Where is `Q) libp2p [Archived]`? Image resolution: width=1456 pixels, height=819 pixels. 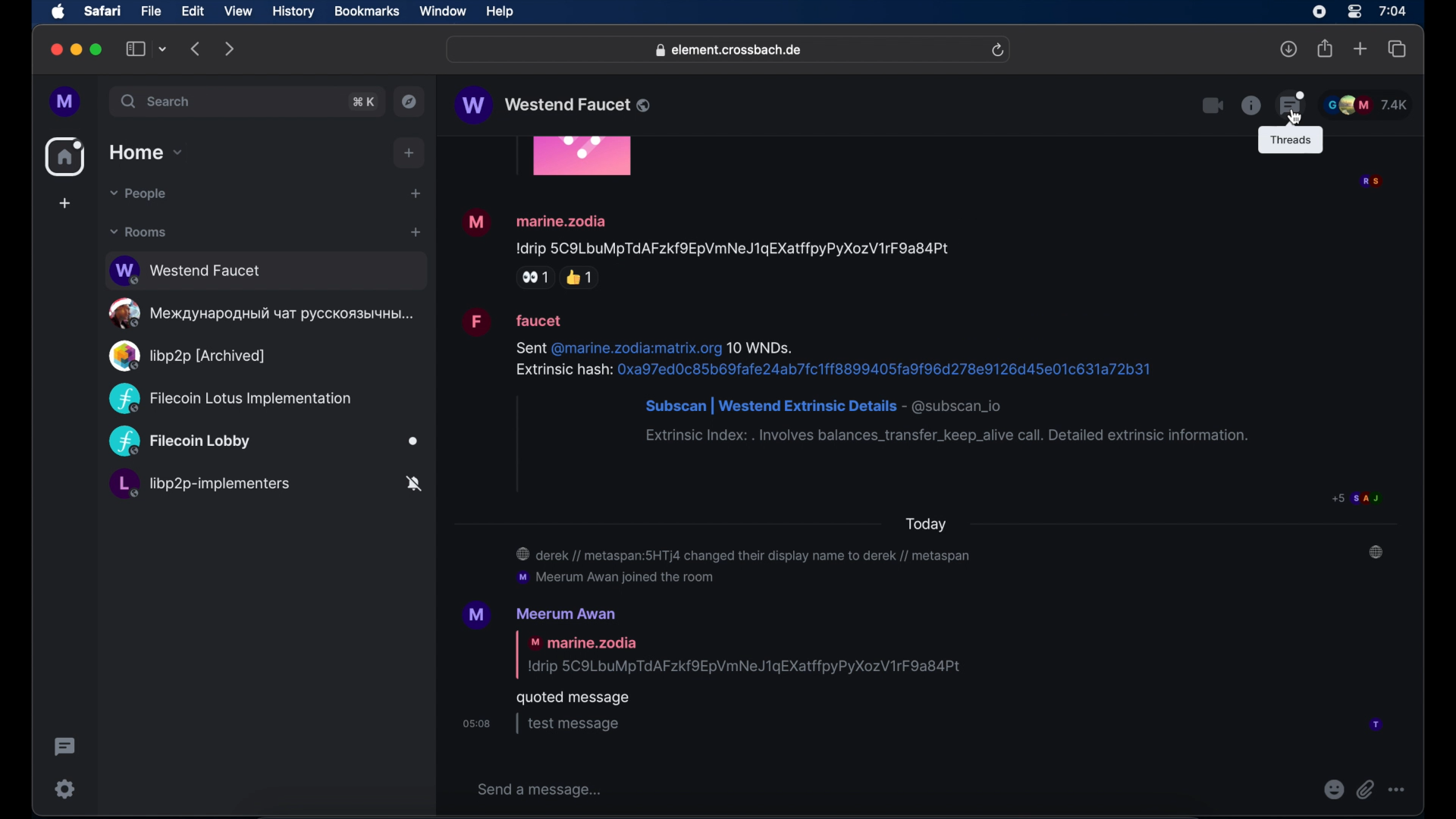 Q) libp2p [Archived] is located at coordinates (209, 355).